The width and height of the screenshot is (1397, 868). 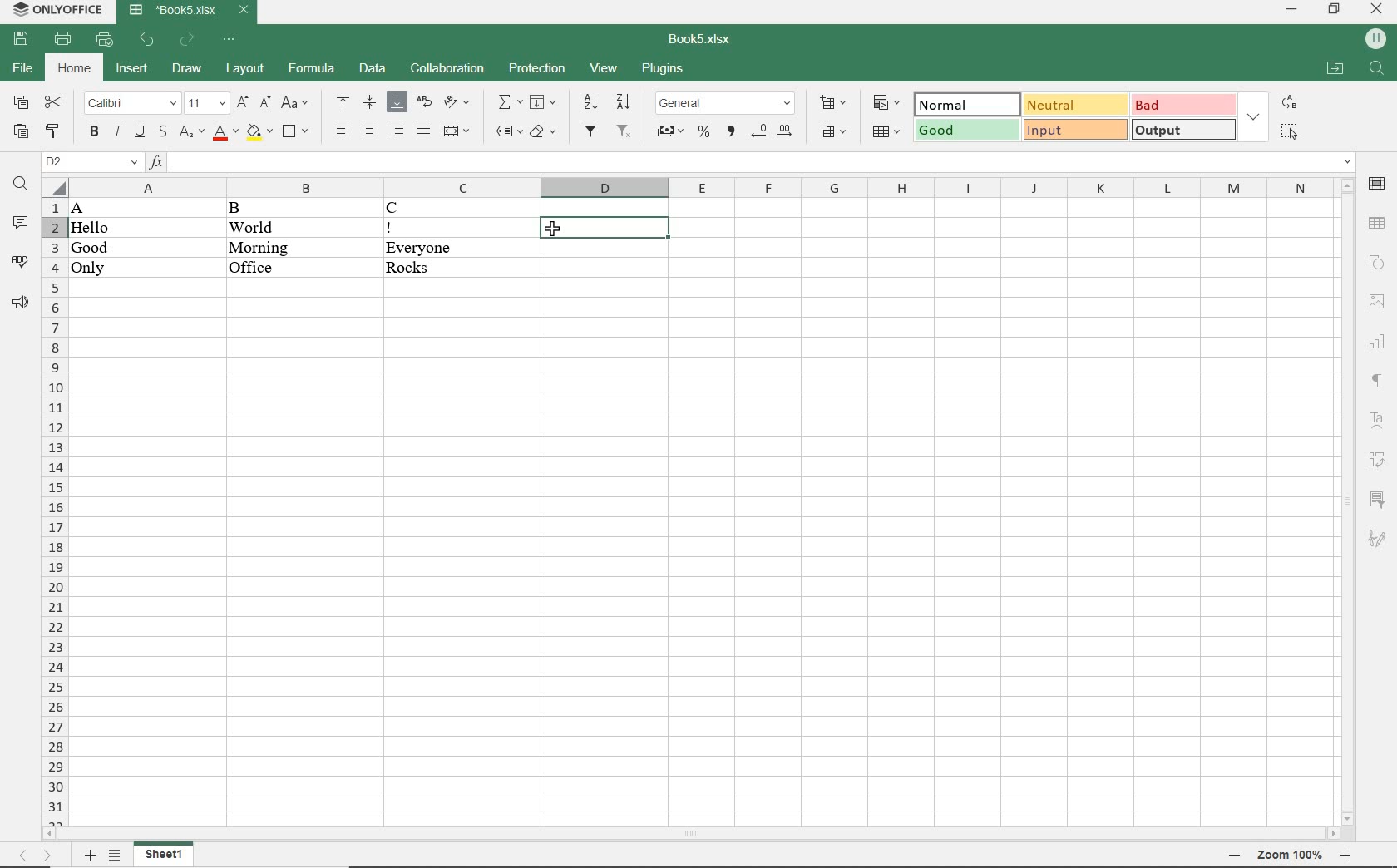 I want to click on increment font size, so click(x=244, y=104).